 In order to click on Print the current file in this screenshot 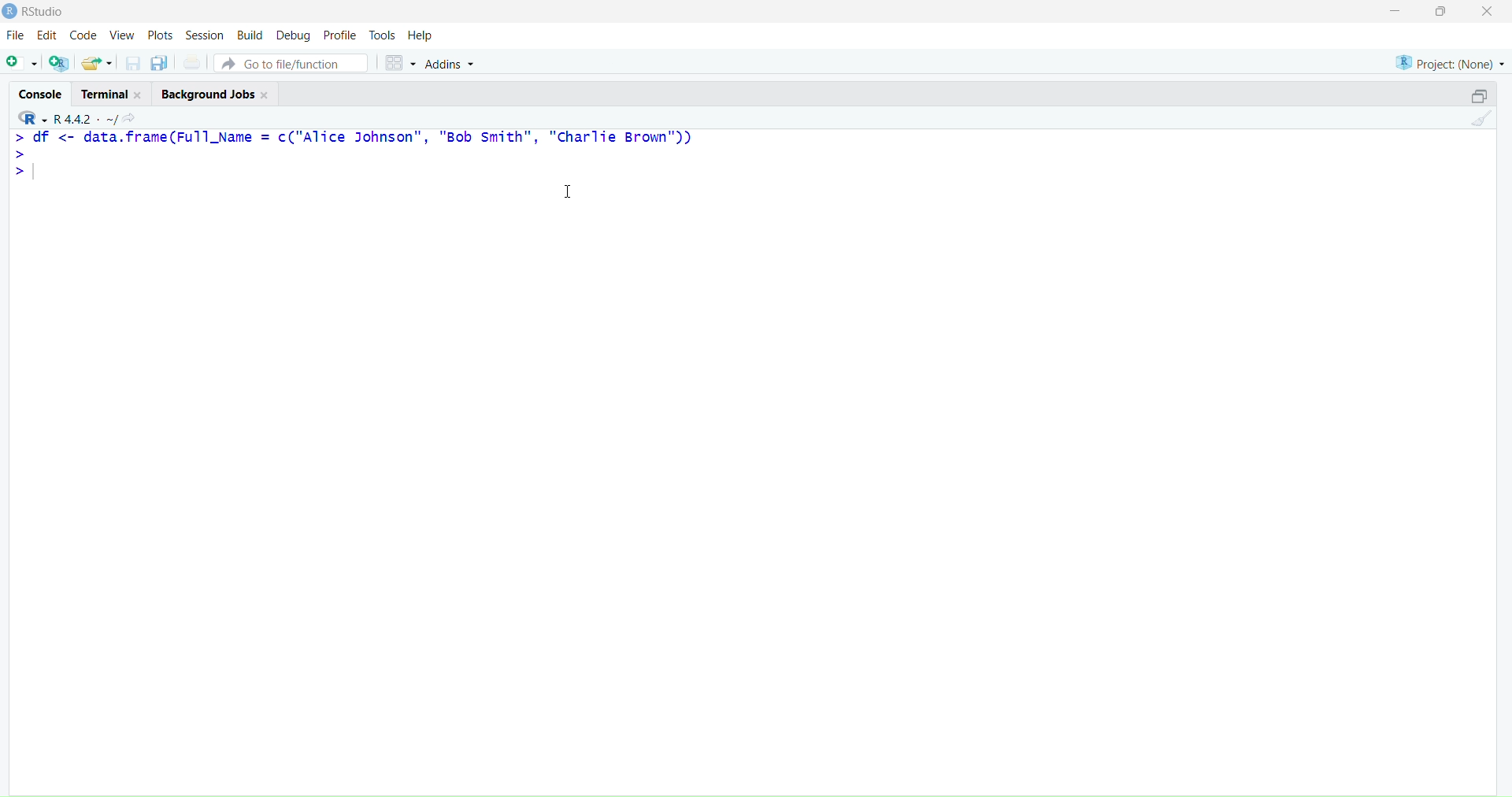, I will do `click(191, 63)`.